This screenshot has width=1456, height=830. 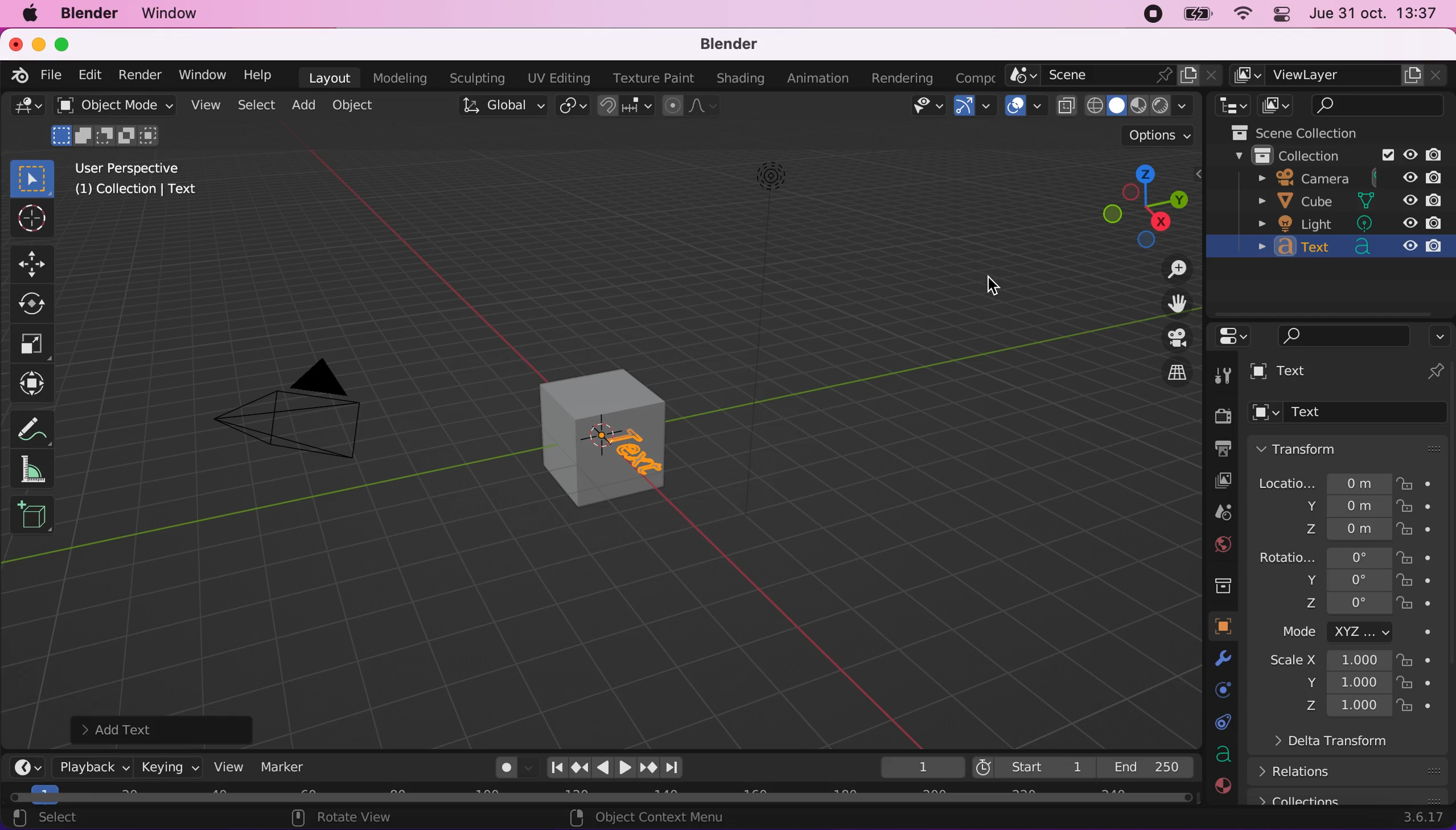 I want to click on jue 31 oct, 13:37, so click(x=1378, y=14).